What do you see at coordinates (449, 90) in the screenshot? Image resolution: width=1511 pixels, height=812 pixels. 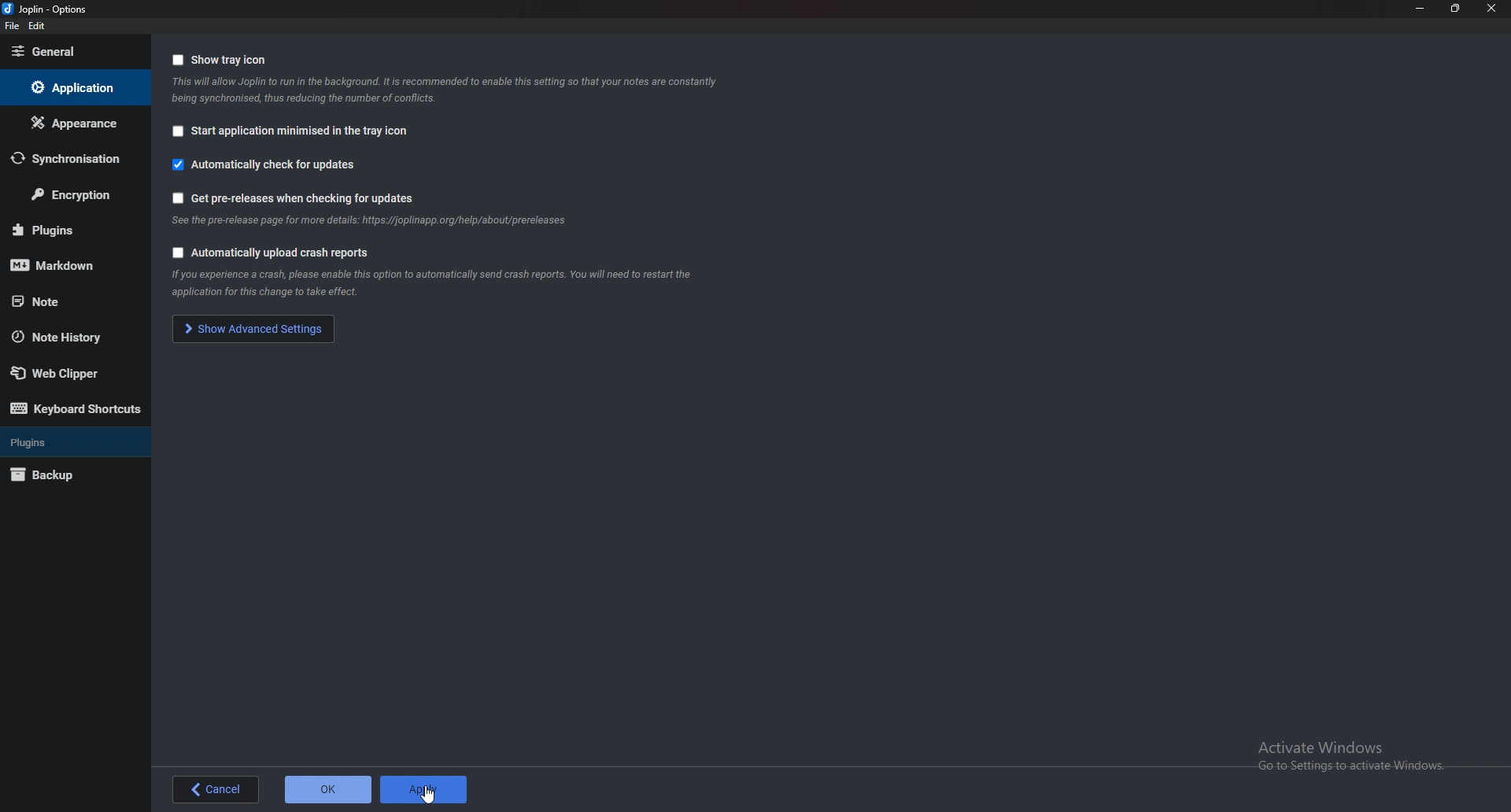 I see `Info` at bounding box center [449, 90].